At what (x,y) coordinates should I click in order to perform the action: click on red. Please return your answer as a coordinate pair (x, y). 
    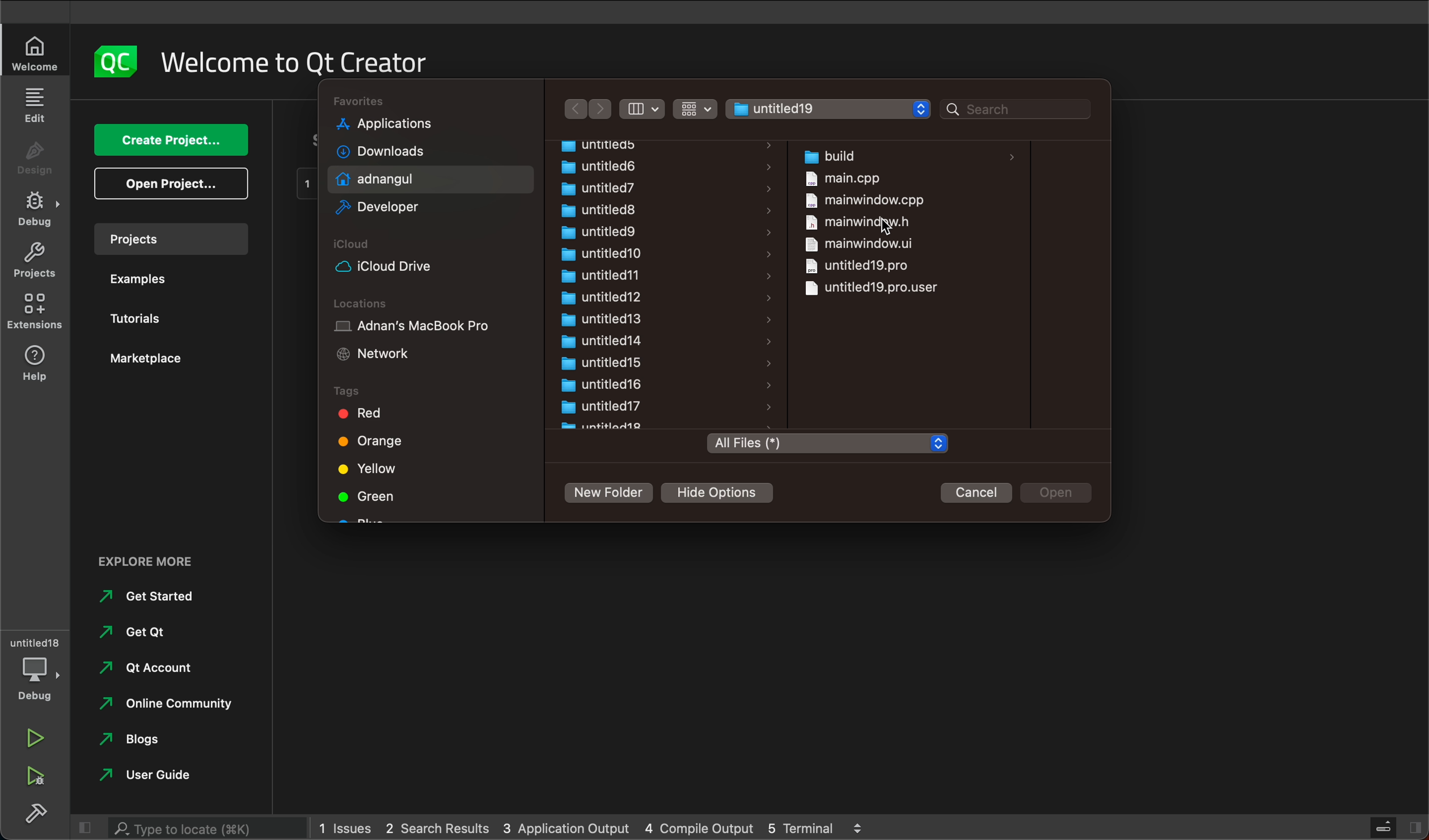
    Looking at the image, I should click on (378, 415).